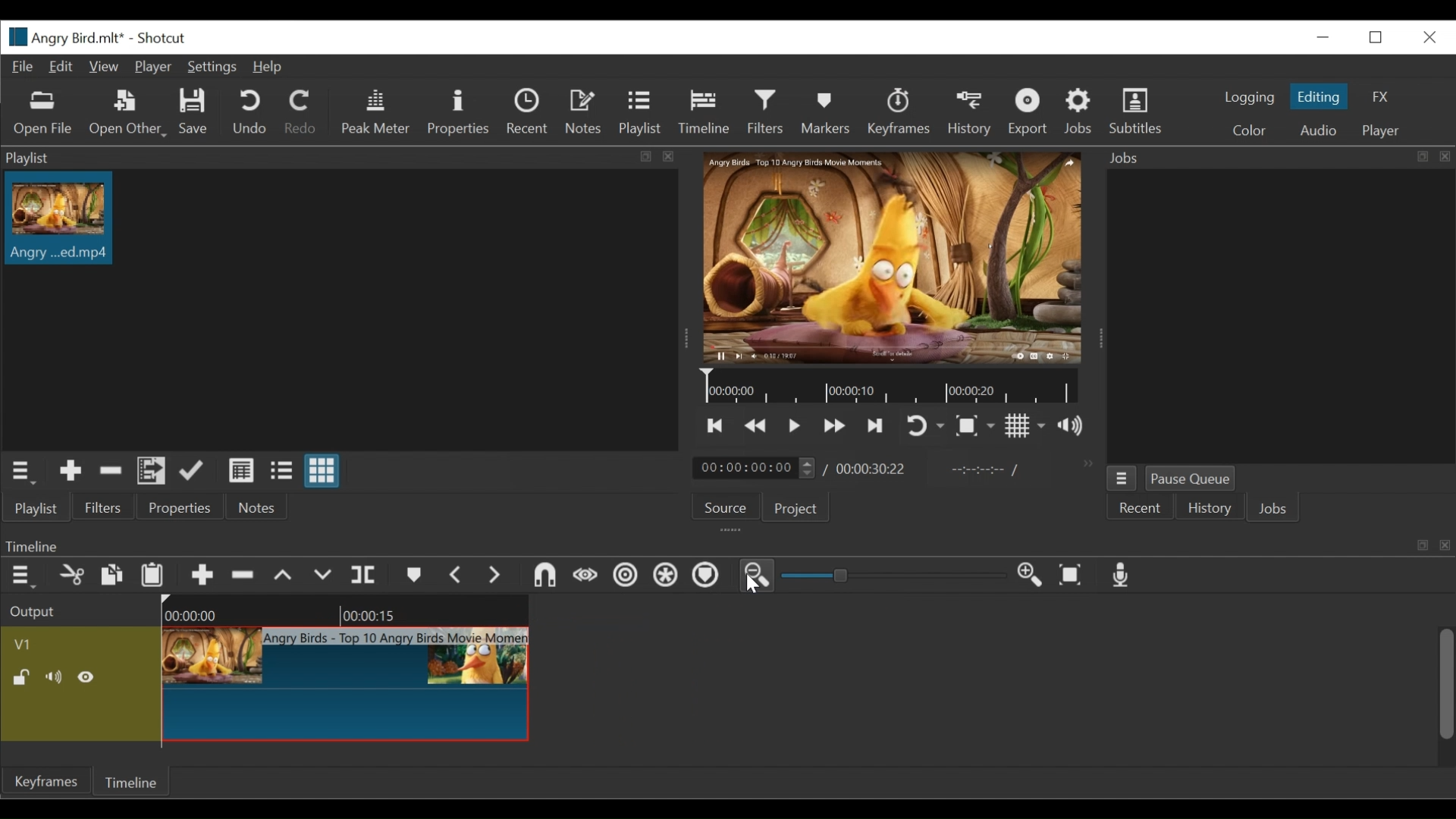  I want to click on Toggle display grid on player, so click(1028, 428).